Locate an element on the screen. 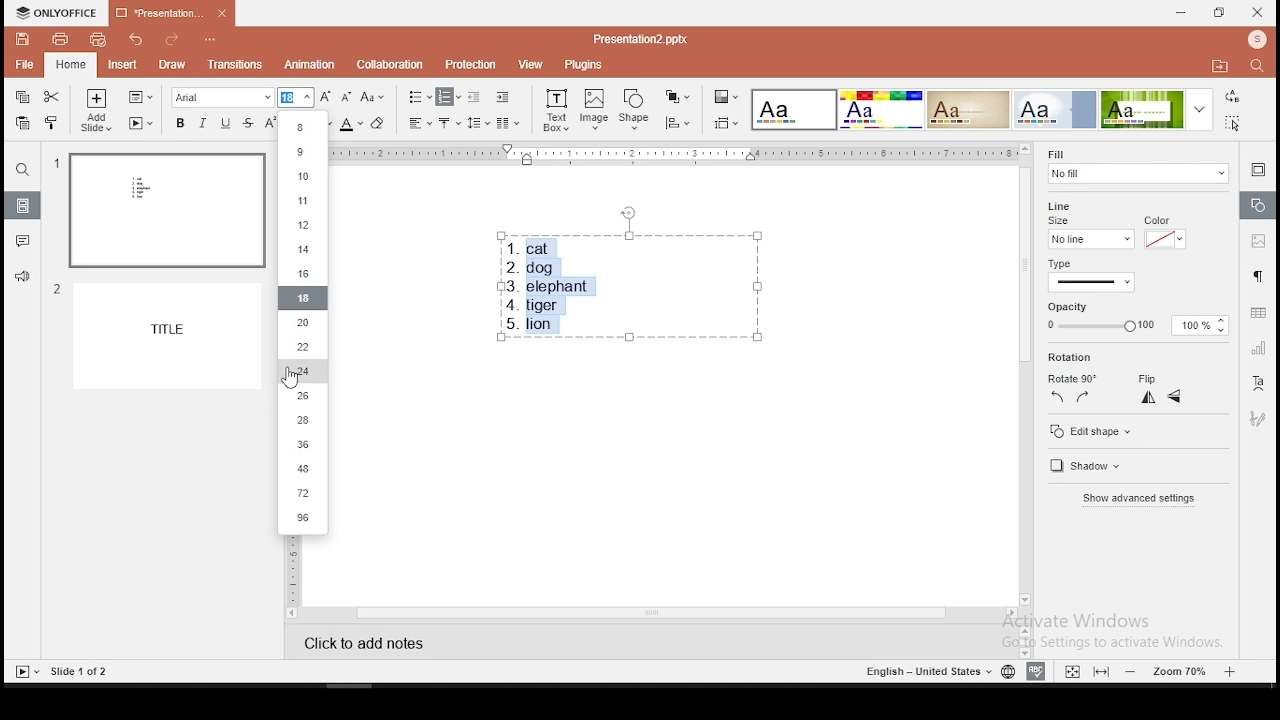 The height and width of the screenshot is (720, 1280). opacity is located at coordinates (1137, 318).